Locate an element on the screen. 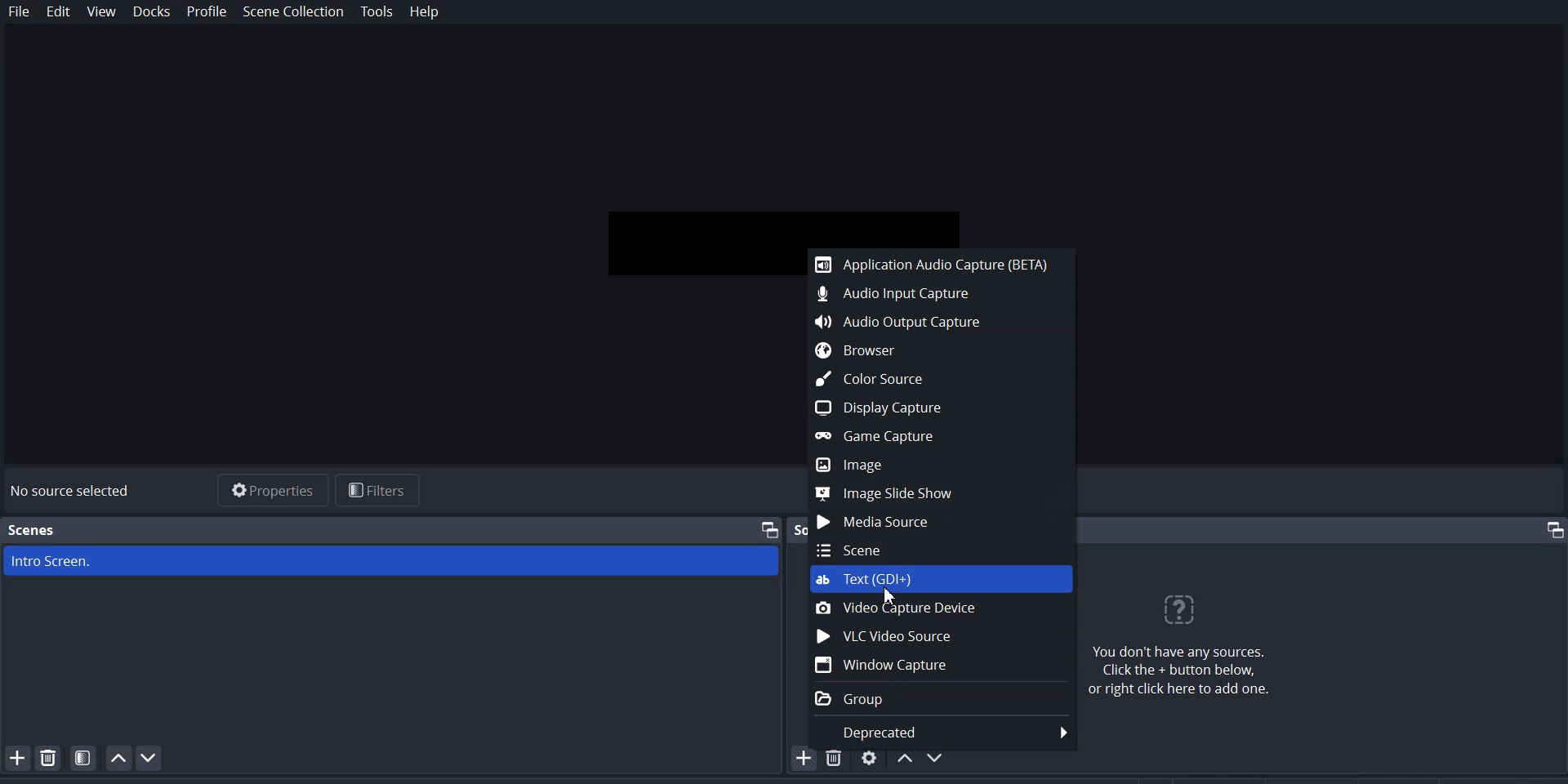  Display Capture is located at coordinates (933, 407).